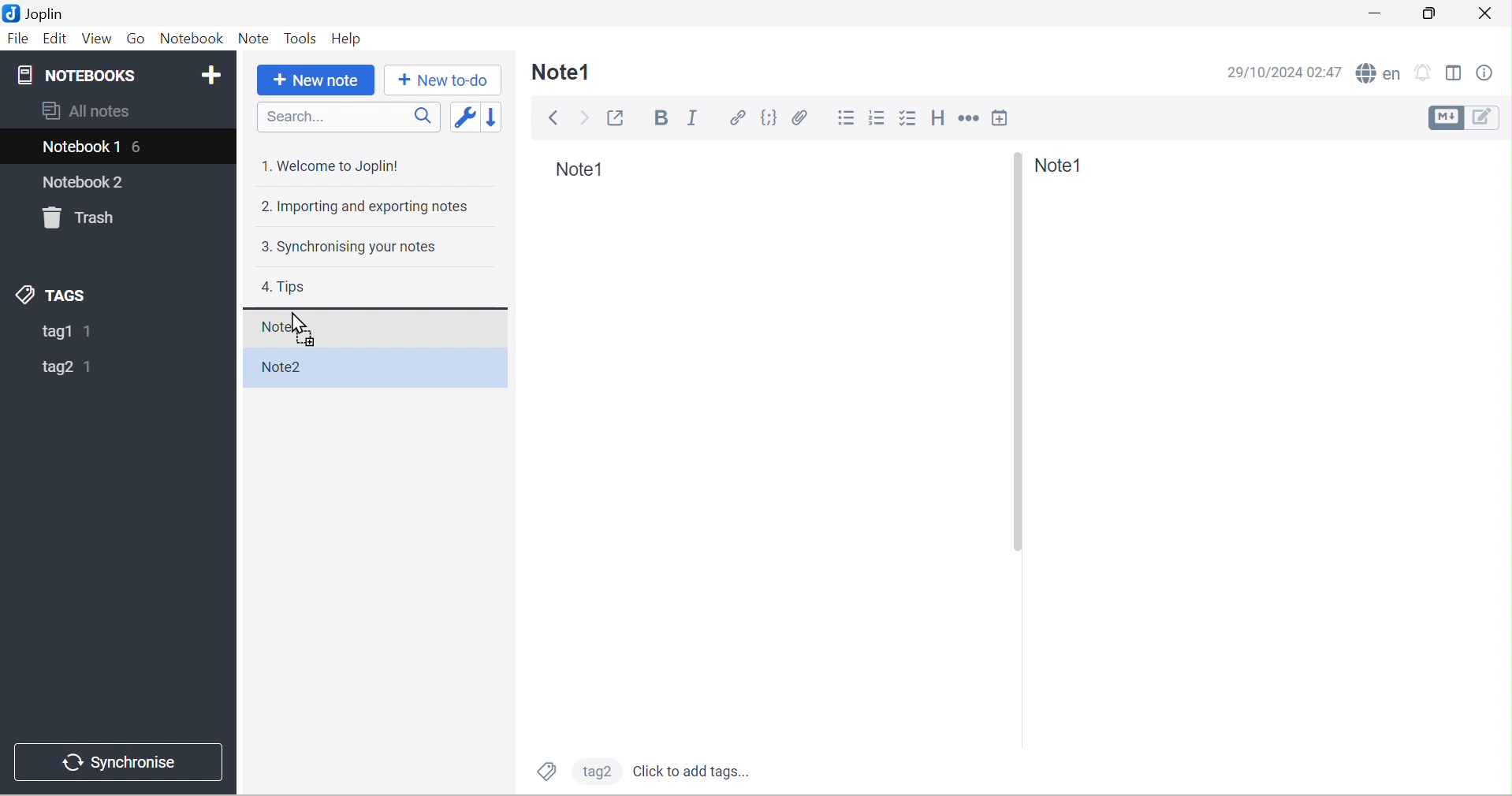 The width and height of the screenshot is (1512, 796). I want to click on Horizontal rule, so click(968, 117).